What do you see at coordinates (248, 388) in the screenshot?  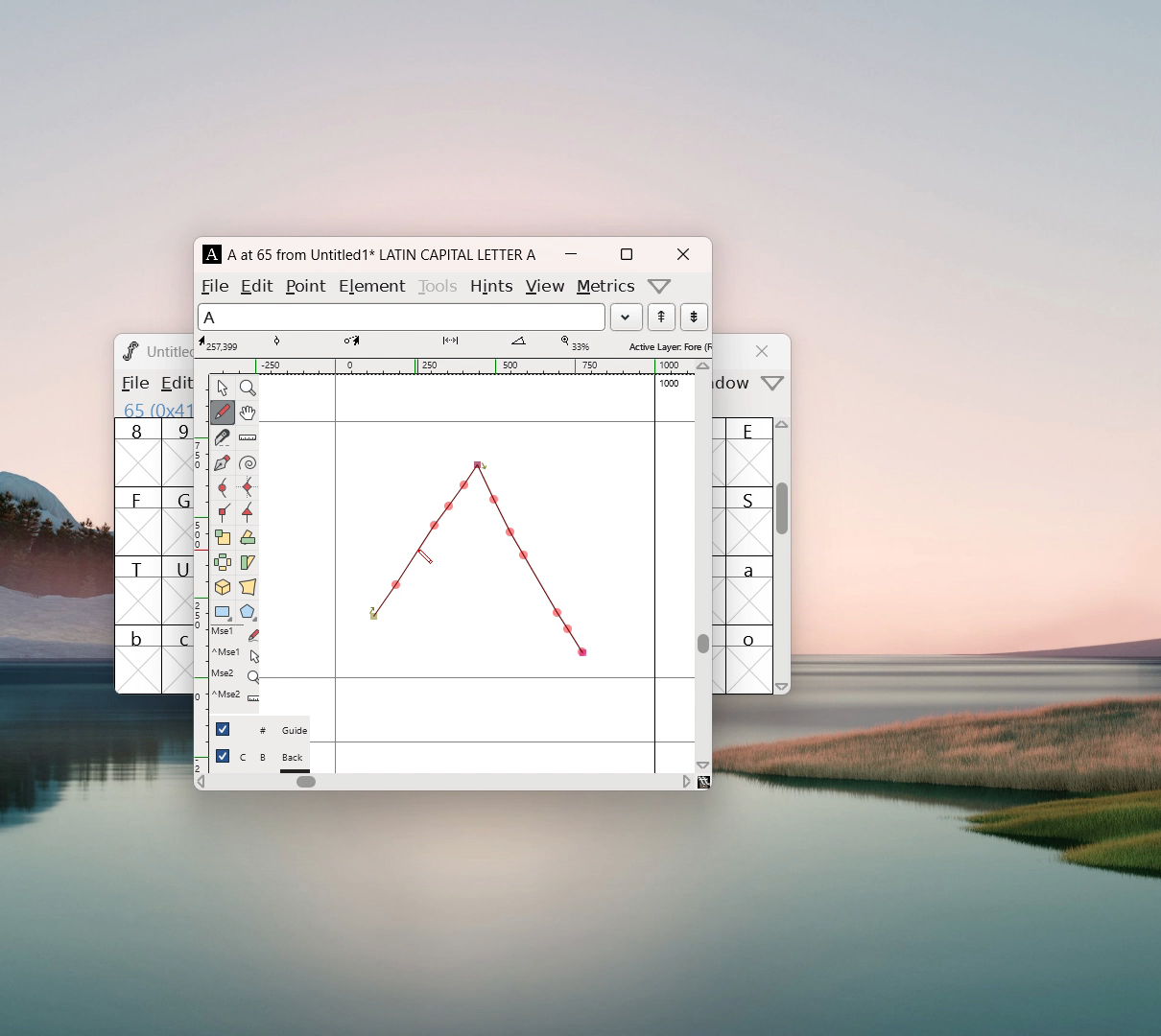 I see `maginify` at bounding box center [248, 388].